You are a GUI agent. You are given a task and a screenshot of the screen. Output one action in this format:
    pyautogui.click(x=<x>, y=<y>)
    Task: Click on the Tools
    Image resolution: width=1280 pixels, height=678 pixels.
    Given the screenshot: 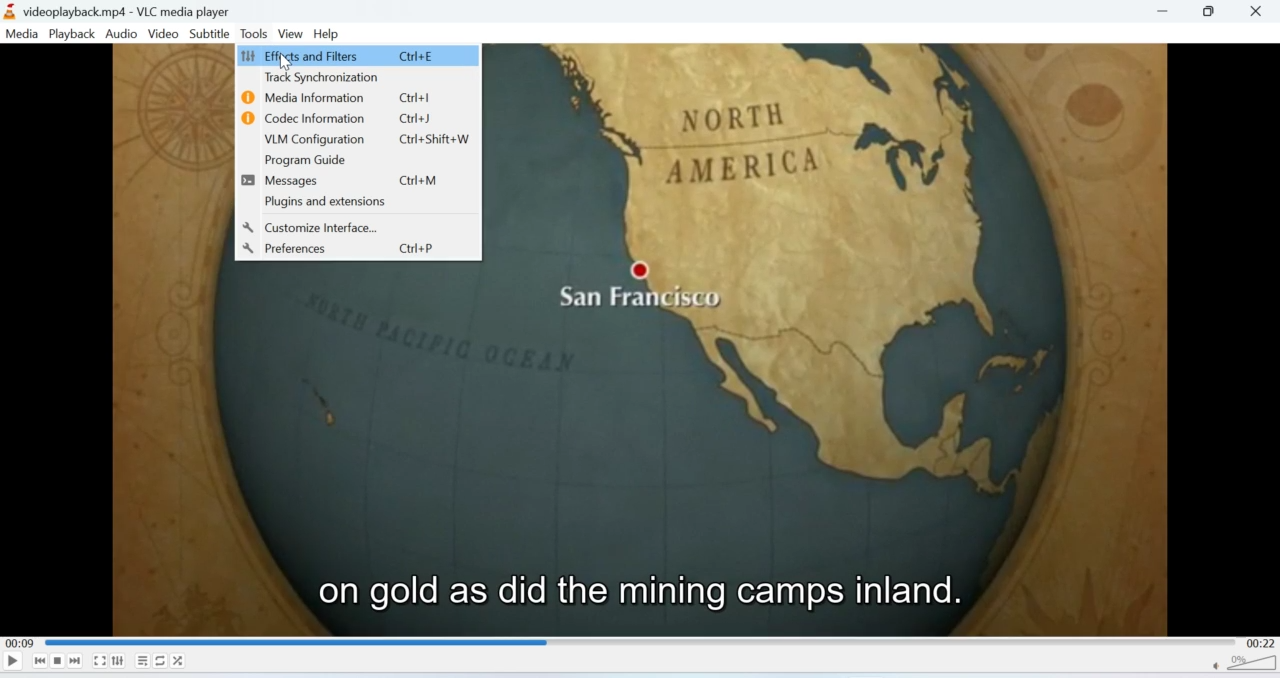 What is the action you would take?
    pyautogui.click(x=254, y=34)
    